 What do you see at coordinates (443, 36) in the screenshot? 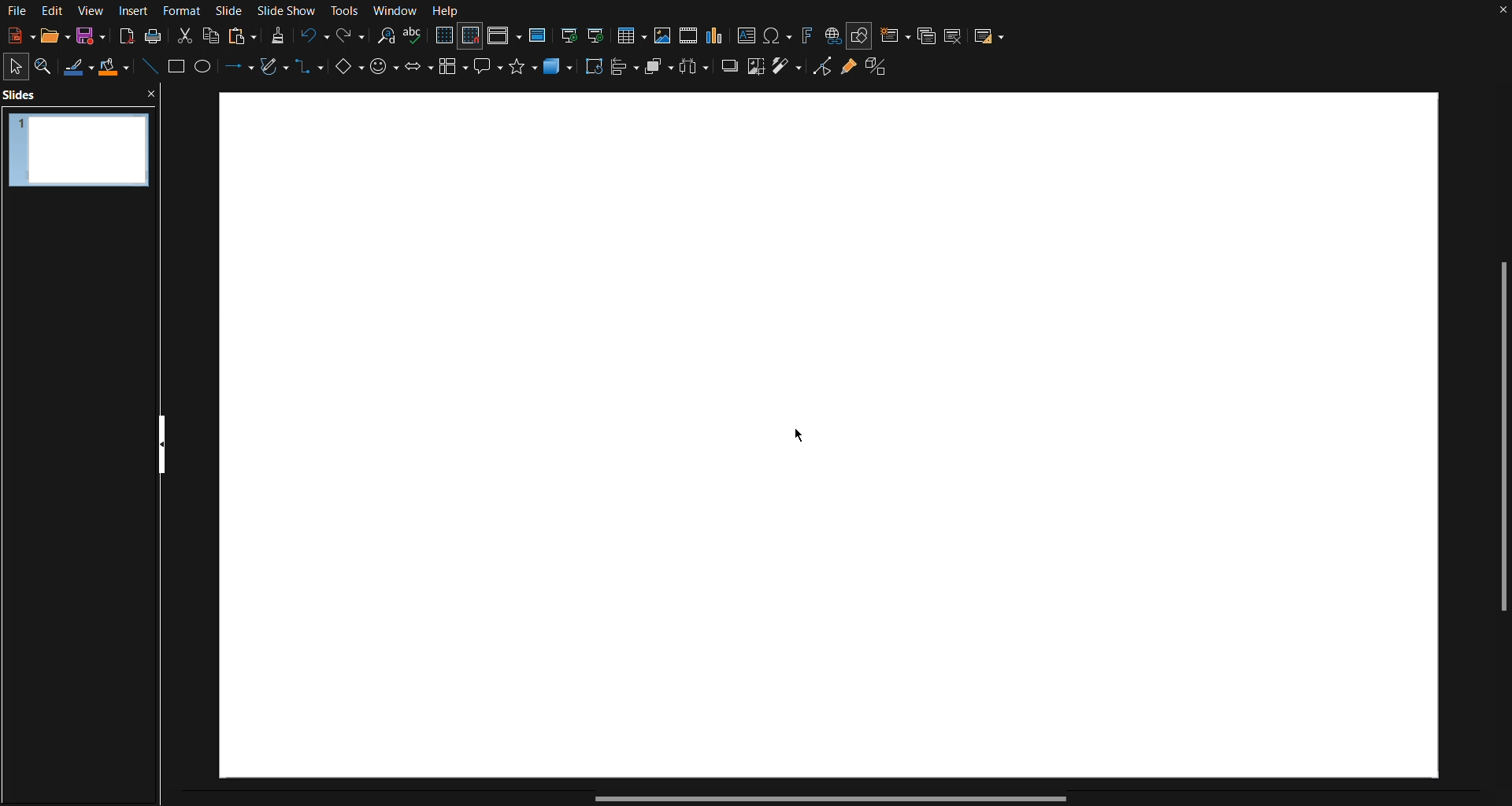
I see `Display Grid` at bounding box center [443, 36].